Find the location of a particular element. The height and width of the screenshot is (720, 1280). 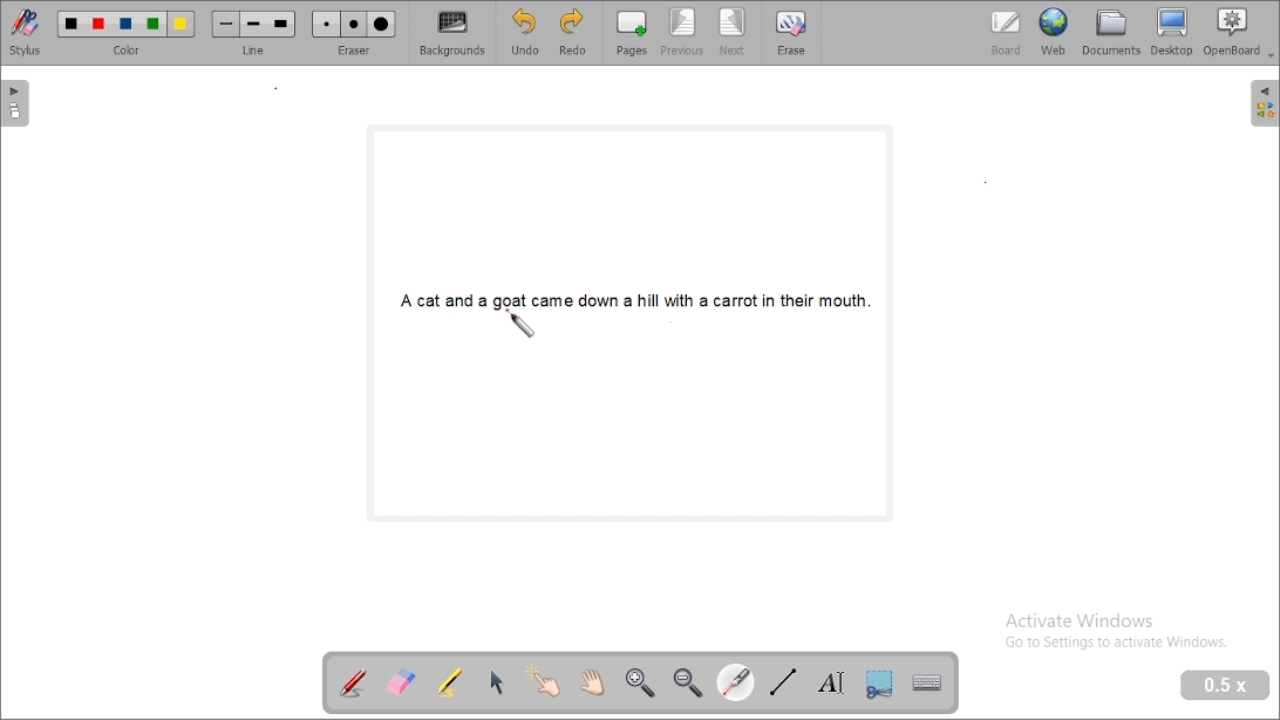

desktop is located at coordinates (1172, 32).